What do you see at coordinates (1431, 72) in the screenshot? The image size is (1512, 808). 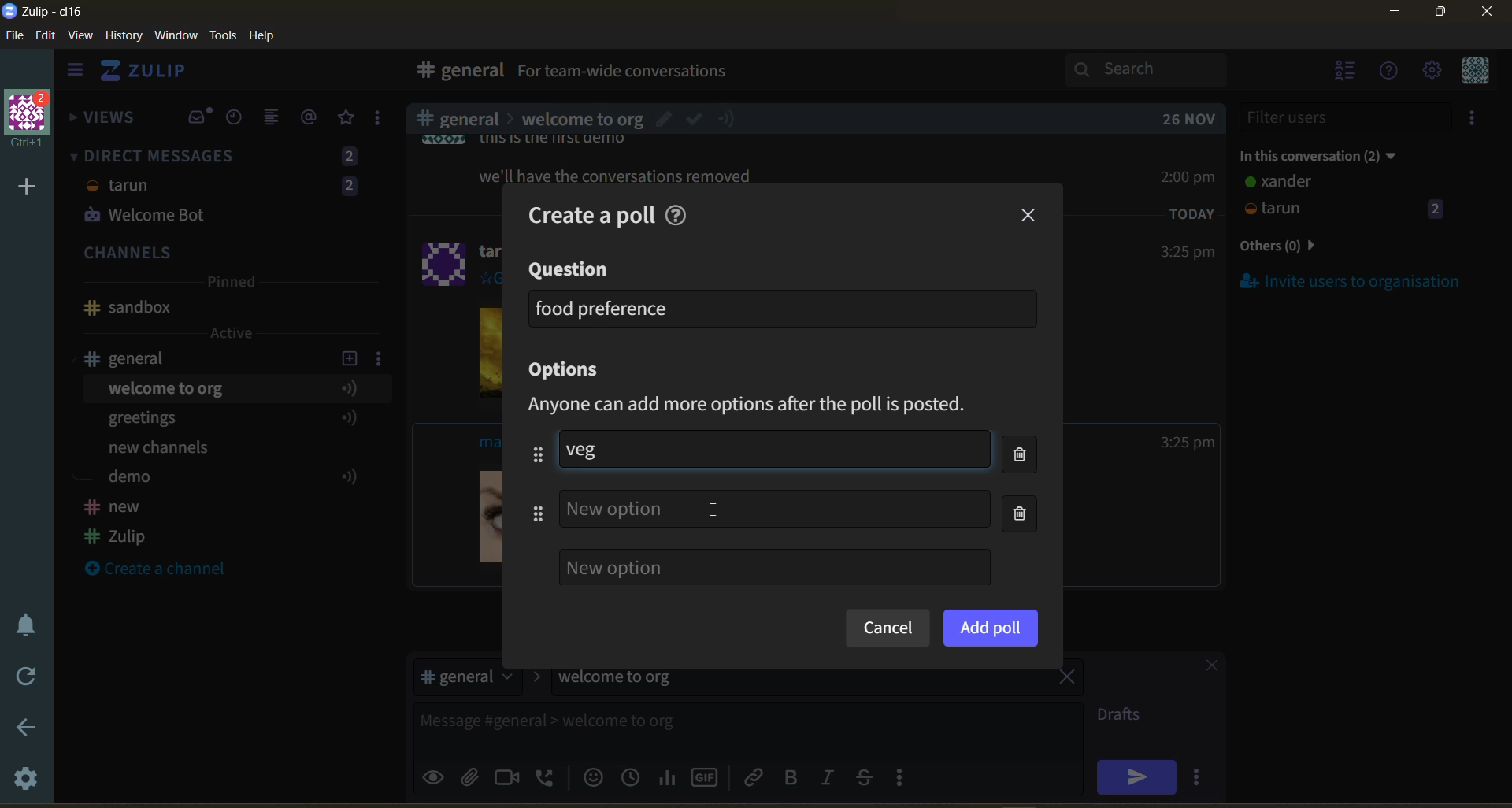 I see `settings menu` at bounding box center [1431, 72].